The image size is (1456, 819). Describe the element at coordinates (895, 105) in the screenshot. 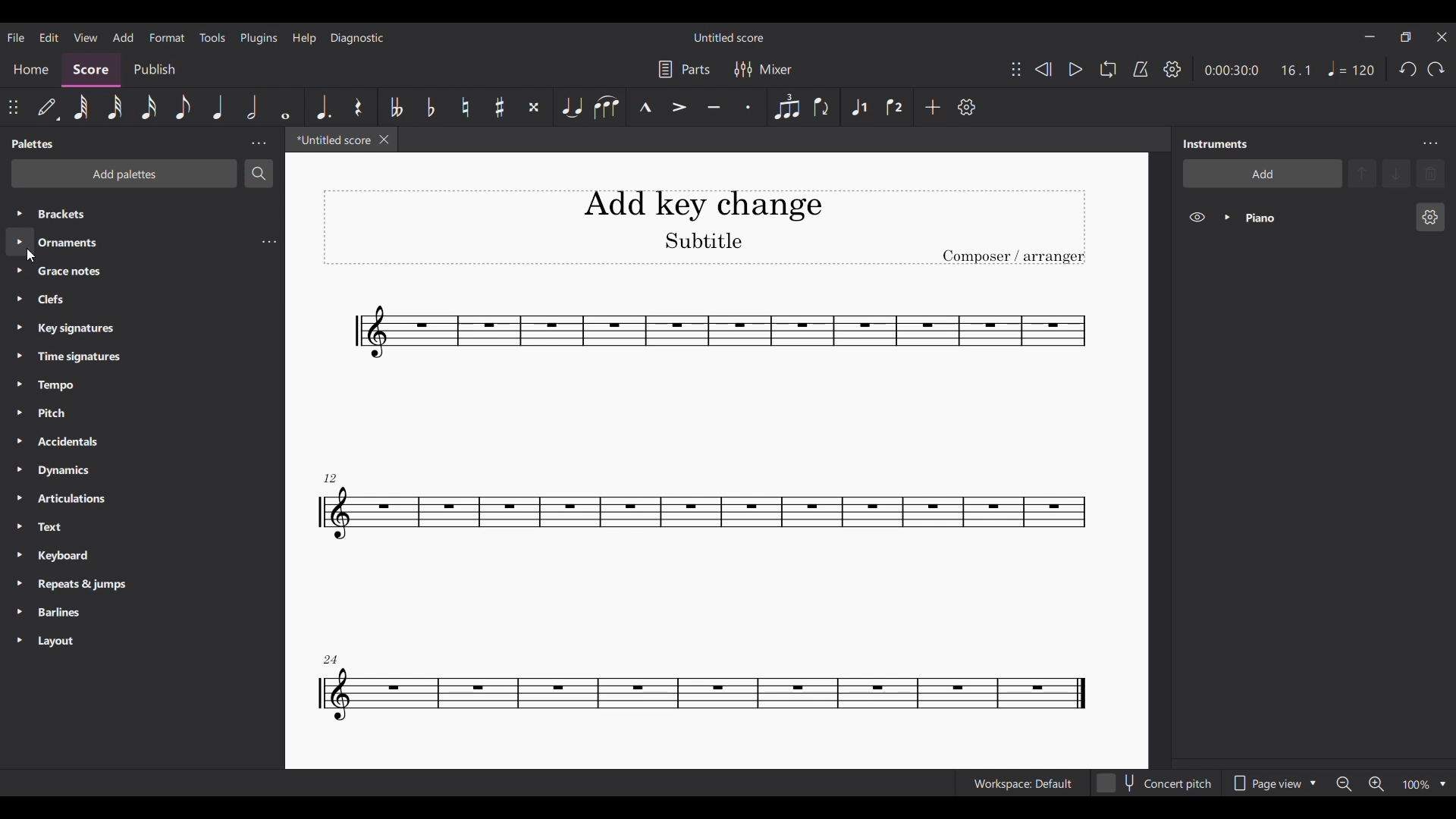

I see `Voice 2` at that location.